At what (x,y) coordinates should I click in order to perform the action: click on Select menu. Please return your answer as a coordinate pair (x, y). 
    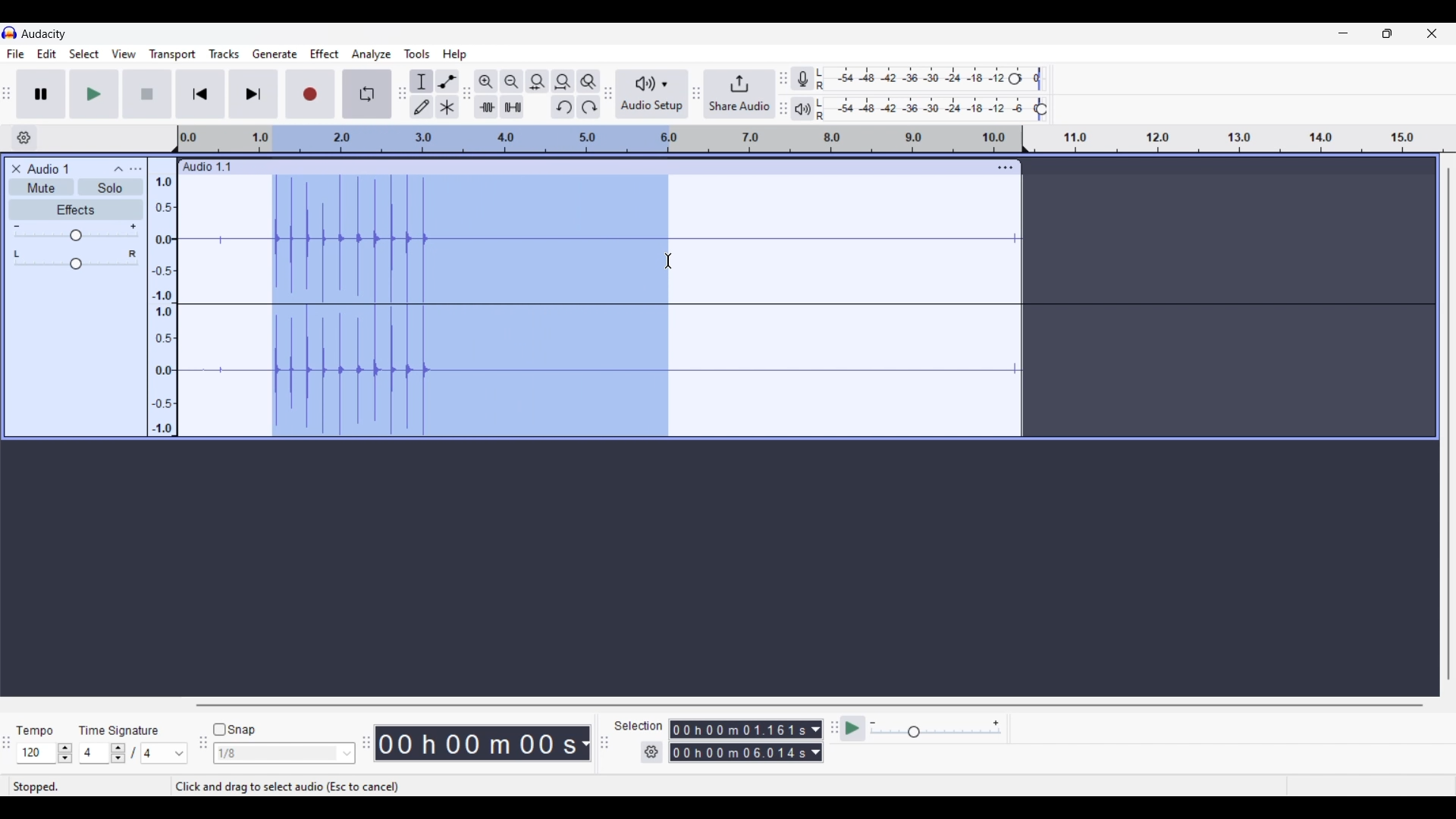
    Looking at the image, I should click on (84, 54).